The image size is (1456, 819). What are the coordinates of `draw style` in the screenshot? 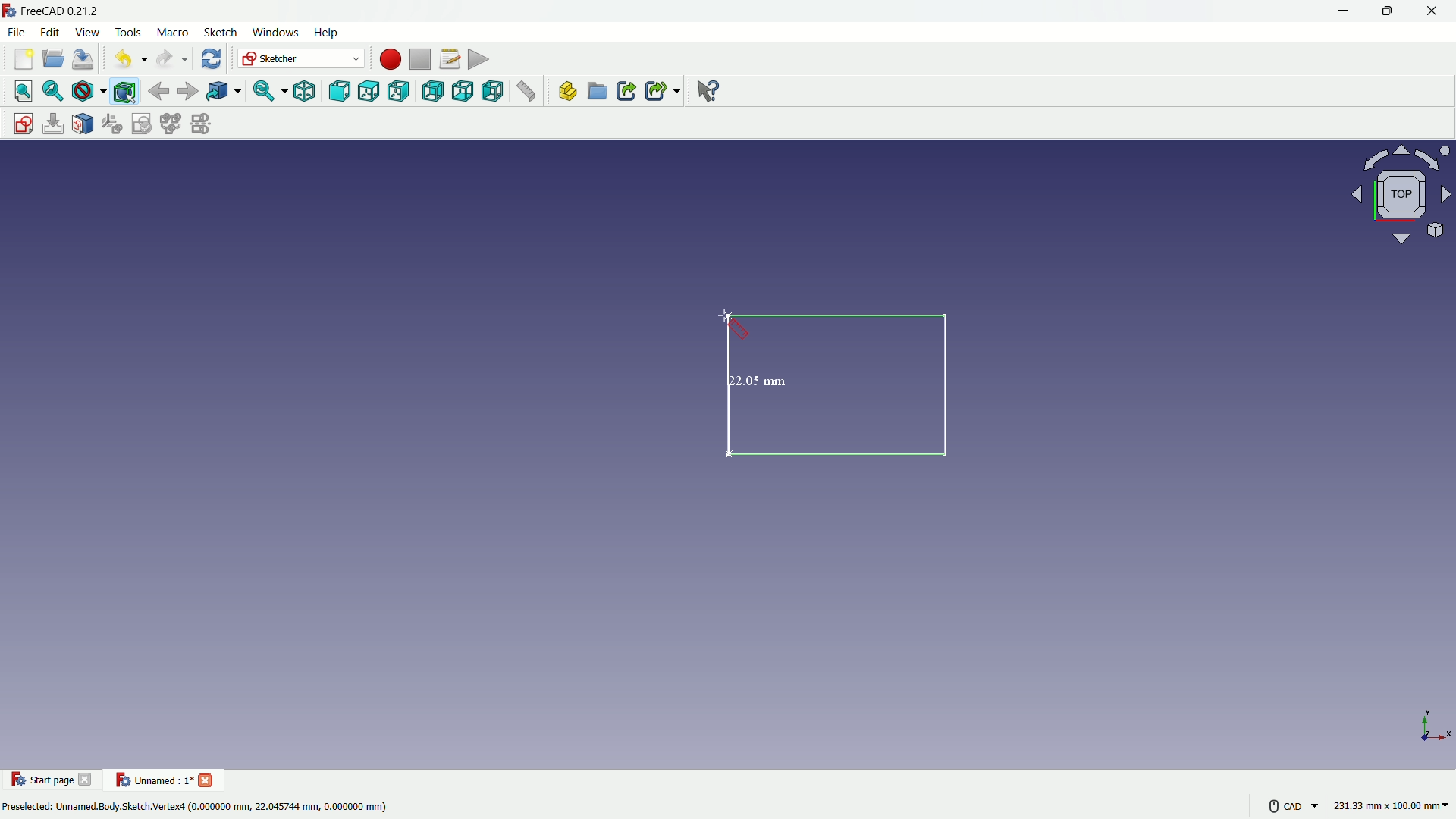 It's located at (89, 91).